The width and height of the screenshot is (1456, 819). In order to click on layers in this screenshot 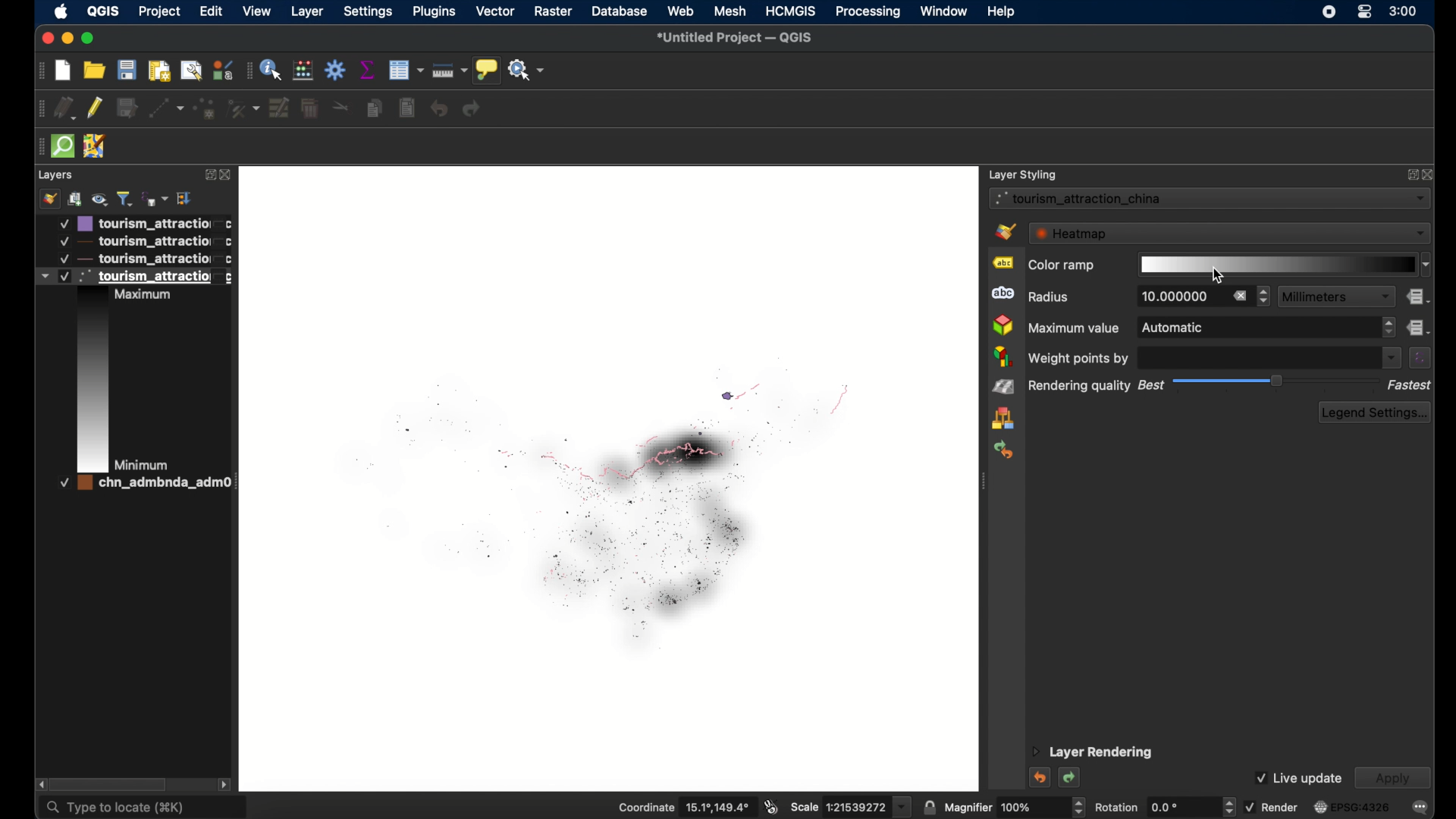, I will do `click(56, 175)`.